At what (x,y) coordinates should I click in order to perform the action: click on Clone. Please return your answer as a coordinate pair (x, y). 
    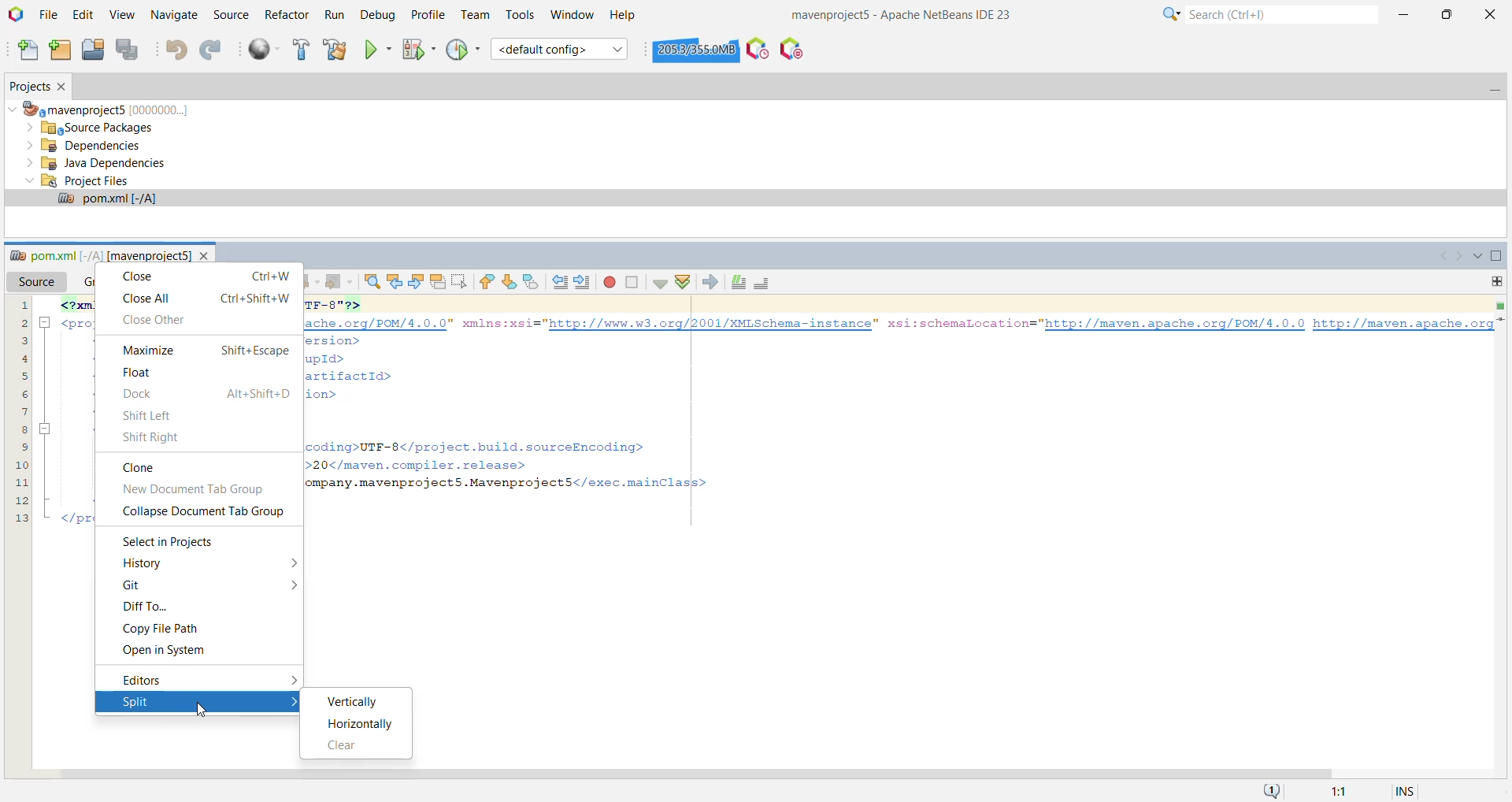
    Looking at the image, I should click on (137, 467).